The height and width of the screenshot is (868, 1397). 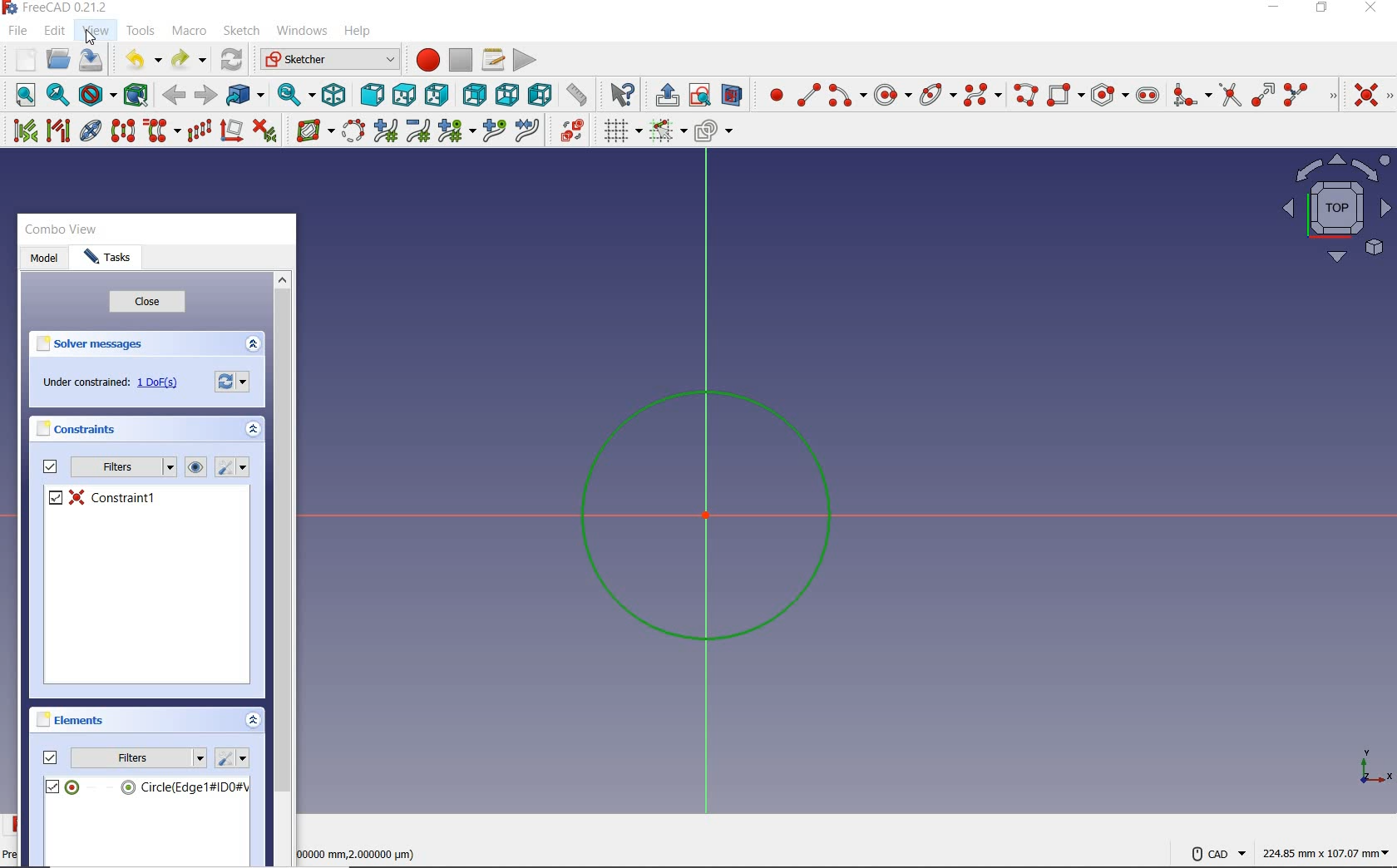 I want to click on create B-Spline, so click(x=981, y=95).